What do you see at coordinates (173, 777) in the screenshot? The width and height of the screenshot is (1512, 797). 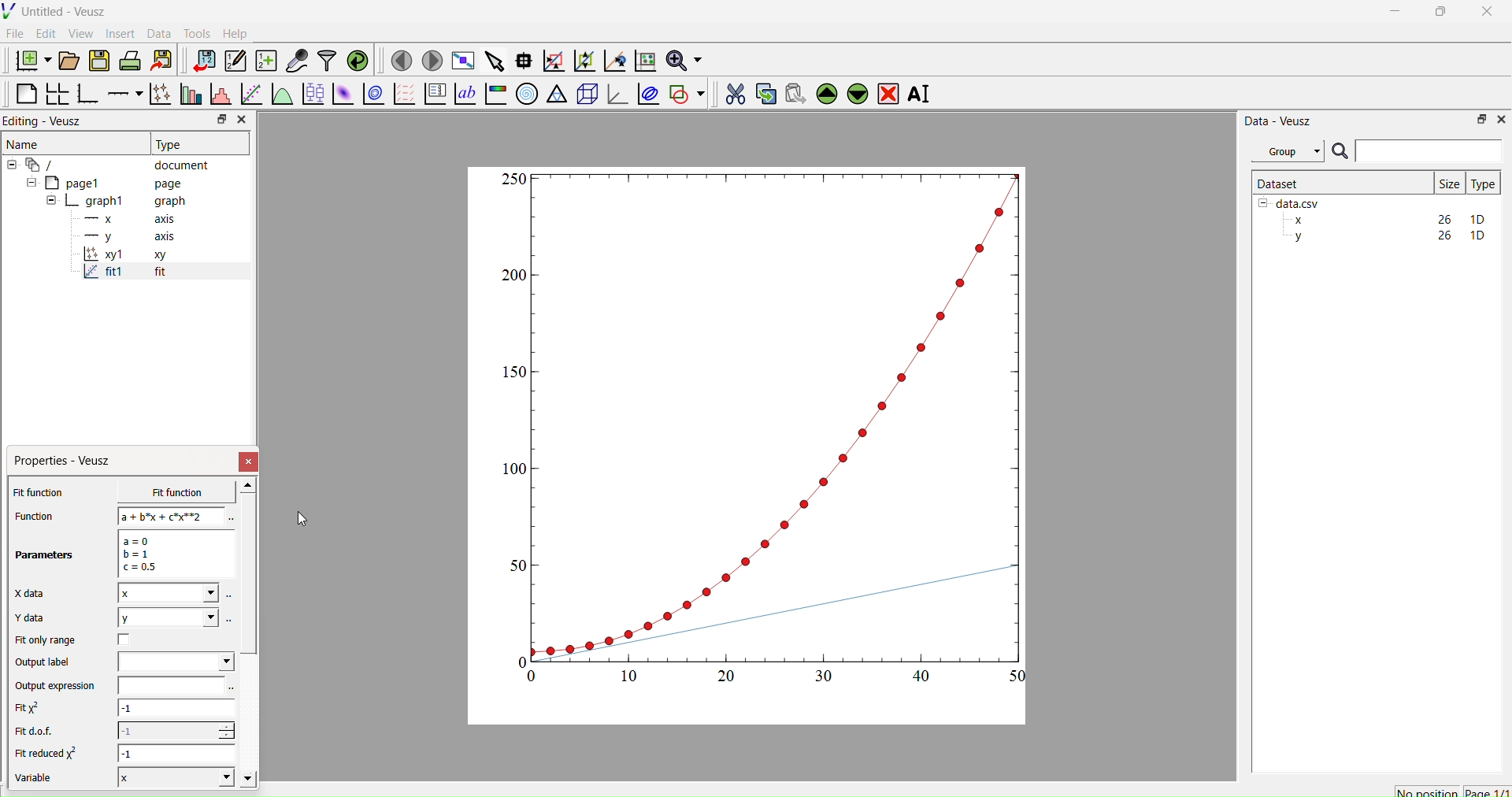 I see `X ` at bounding box center [173, 777].